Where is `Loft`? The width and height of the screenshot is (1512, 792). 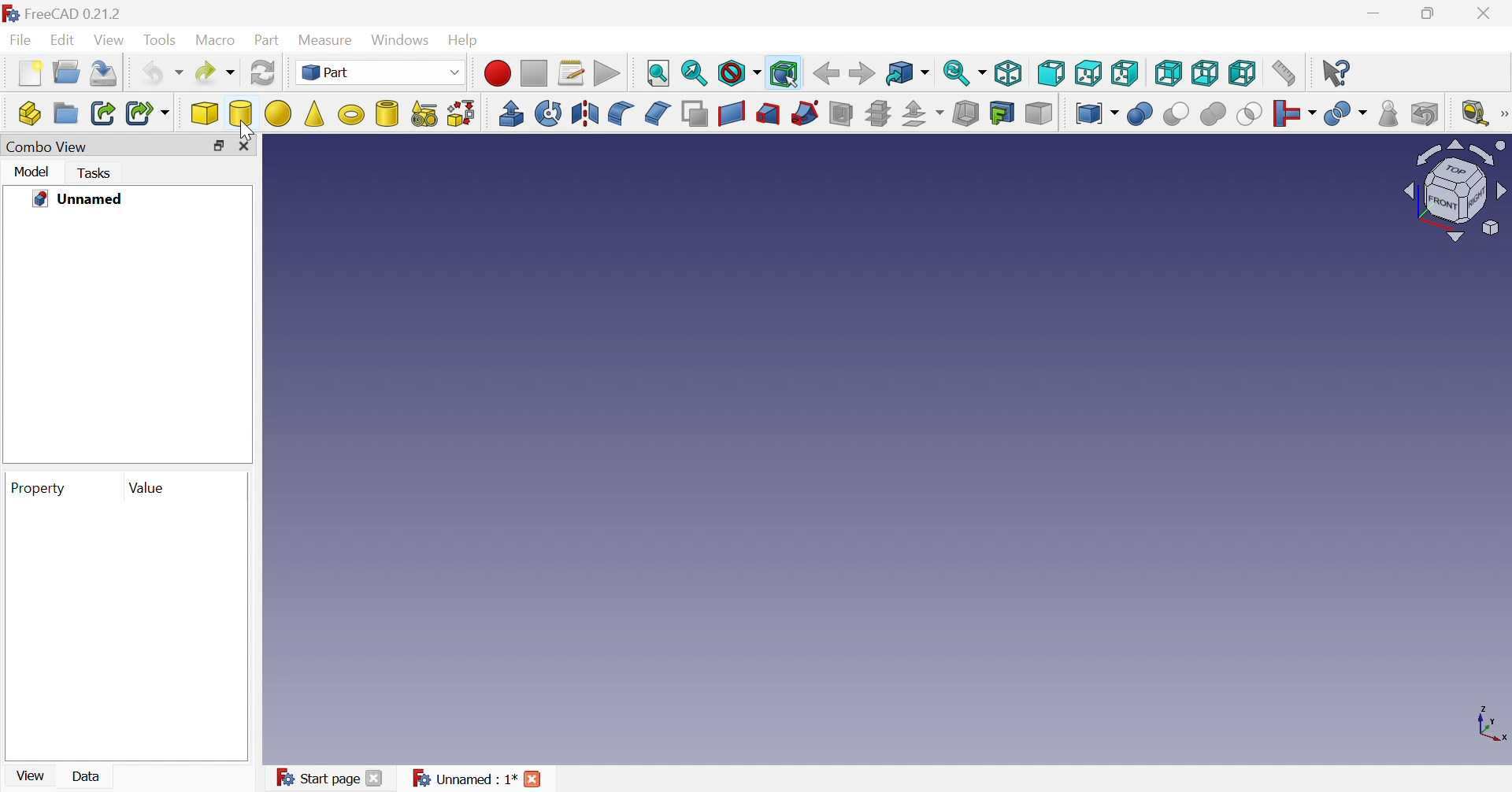 Loft is located at coordinates (766, 116).